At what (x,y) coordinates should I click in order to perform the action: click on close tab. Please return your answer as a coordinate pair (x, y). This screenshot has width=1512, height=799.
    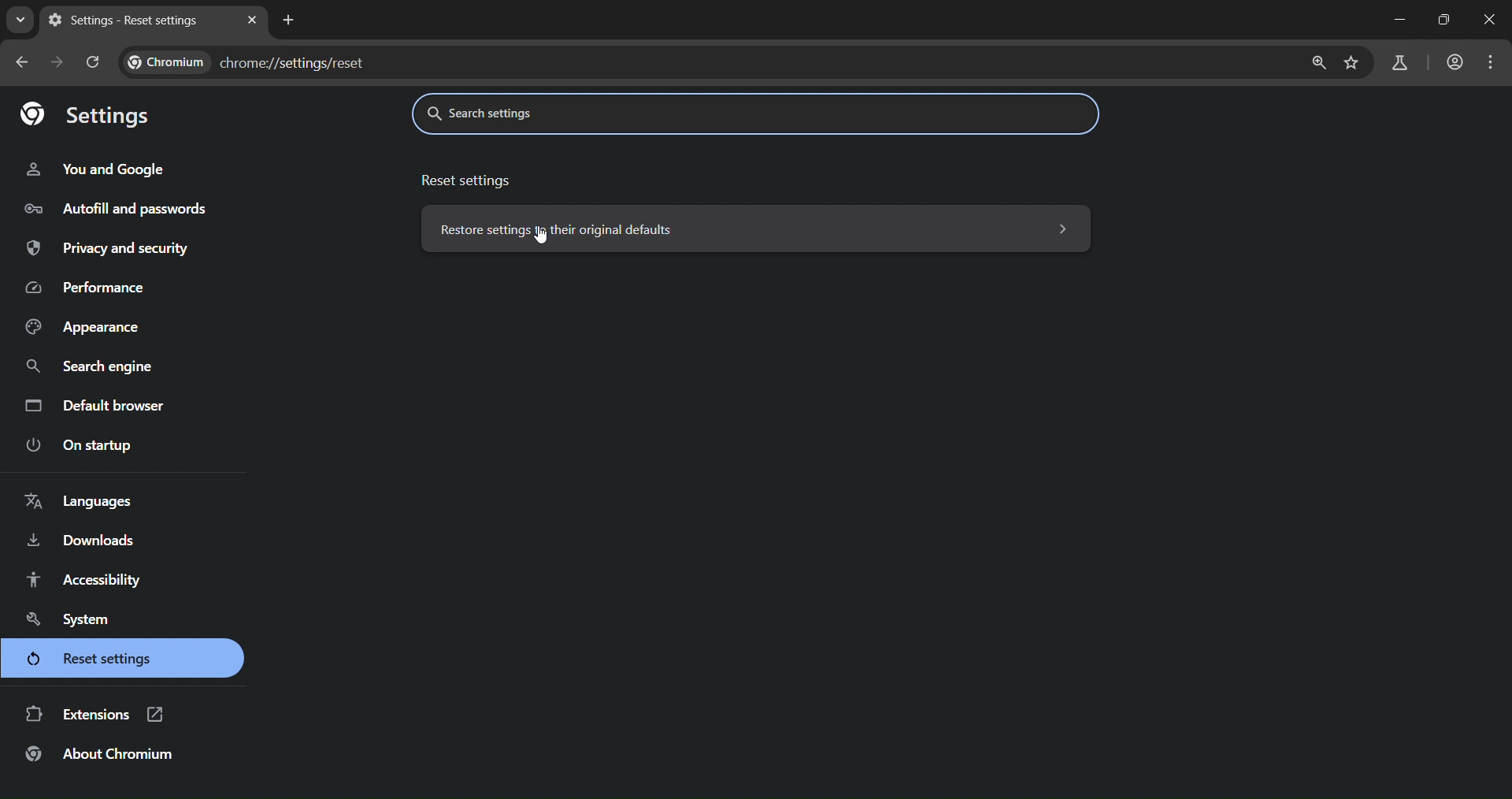
    Looking at the image, I should click on (254, 19).